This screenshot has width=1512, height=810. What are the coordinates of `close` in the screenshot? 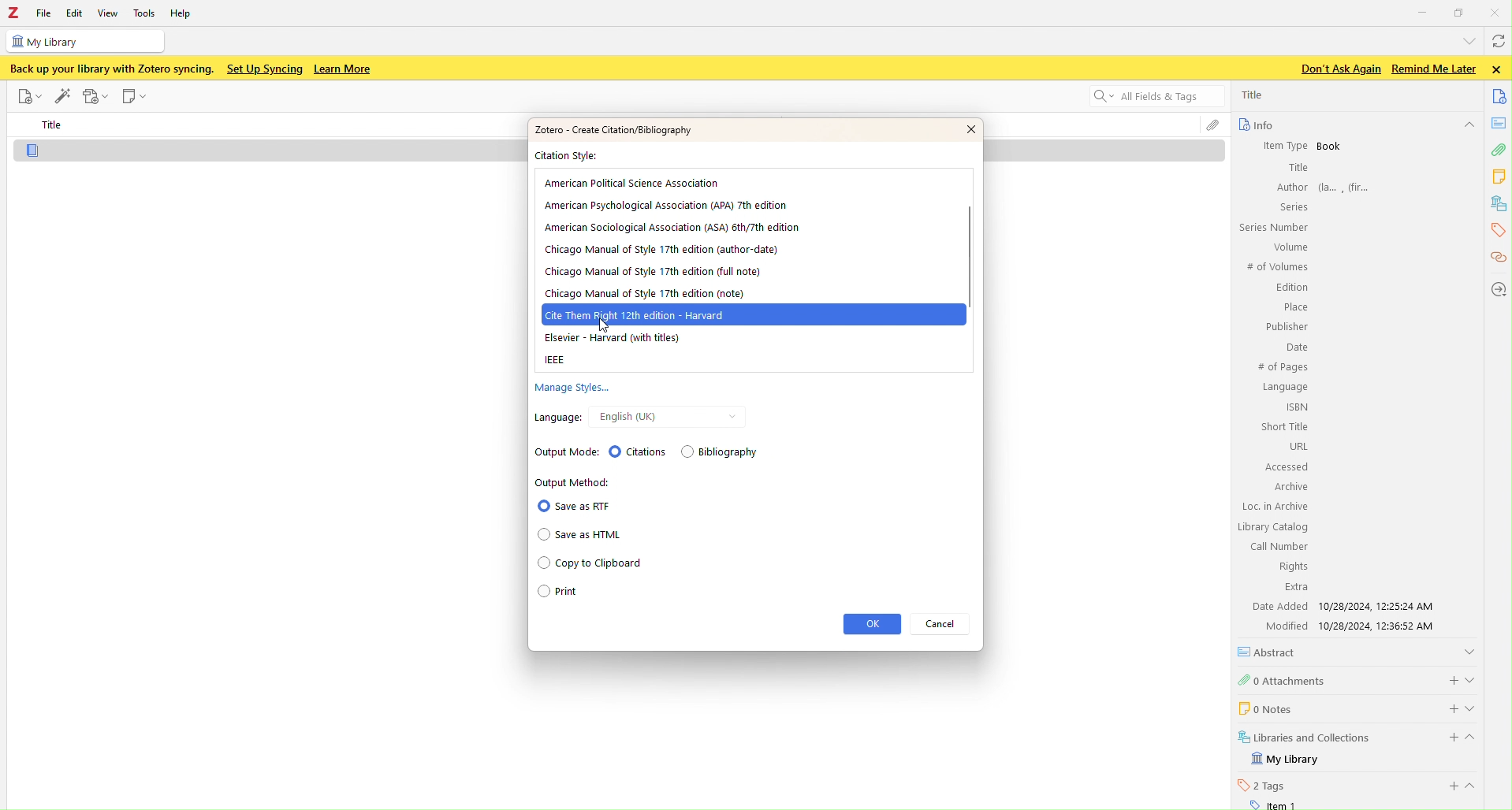 It's located at (1499, 69).